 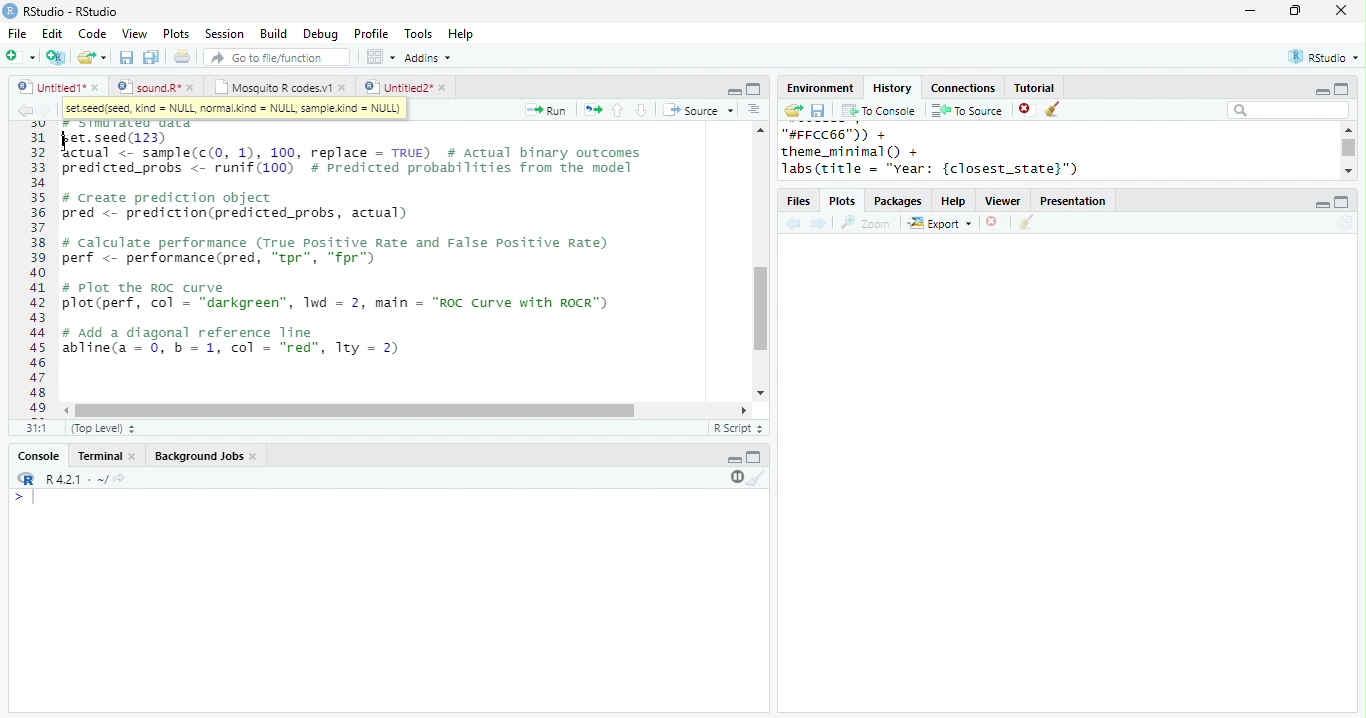 What do you see at coordinates (793, 225) in the screenshot?
I see `back` at bounding box center [793, 225].